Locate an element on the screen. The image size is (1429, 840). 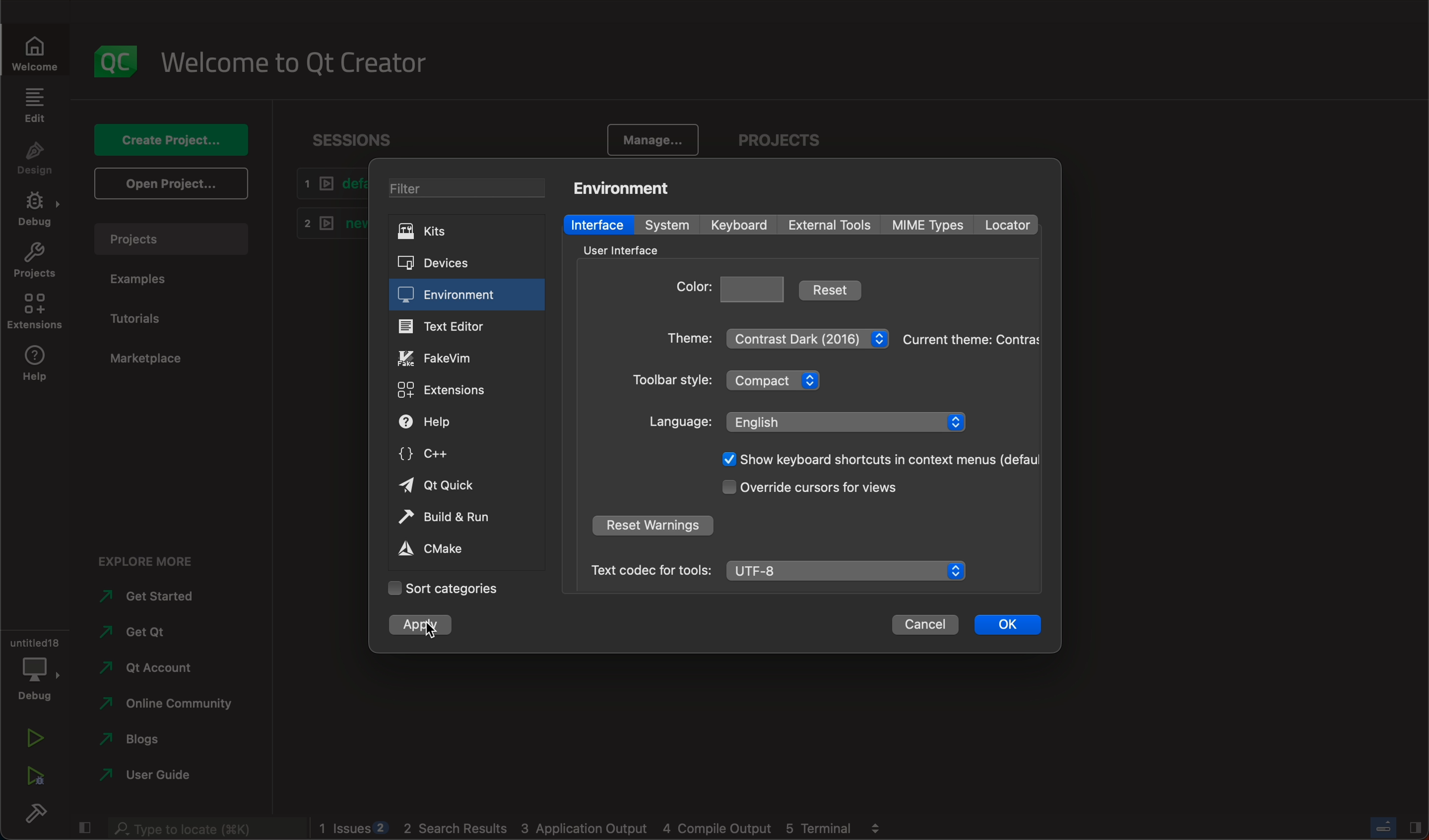
close slide bar is located at coordinates (84, 829).